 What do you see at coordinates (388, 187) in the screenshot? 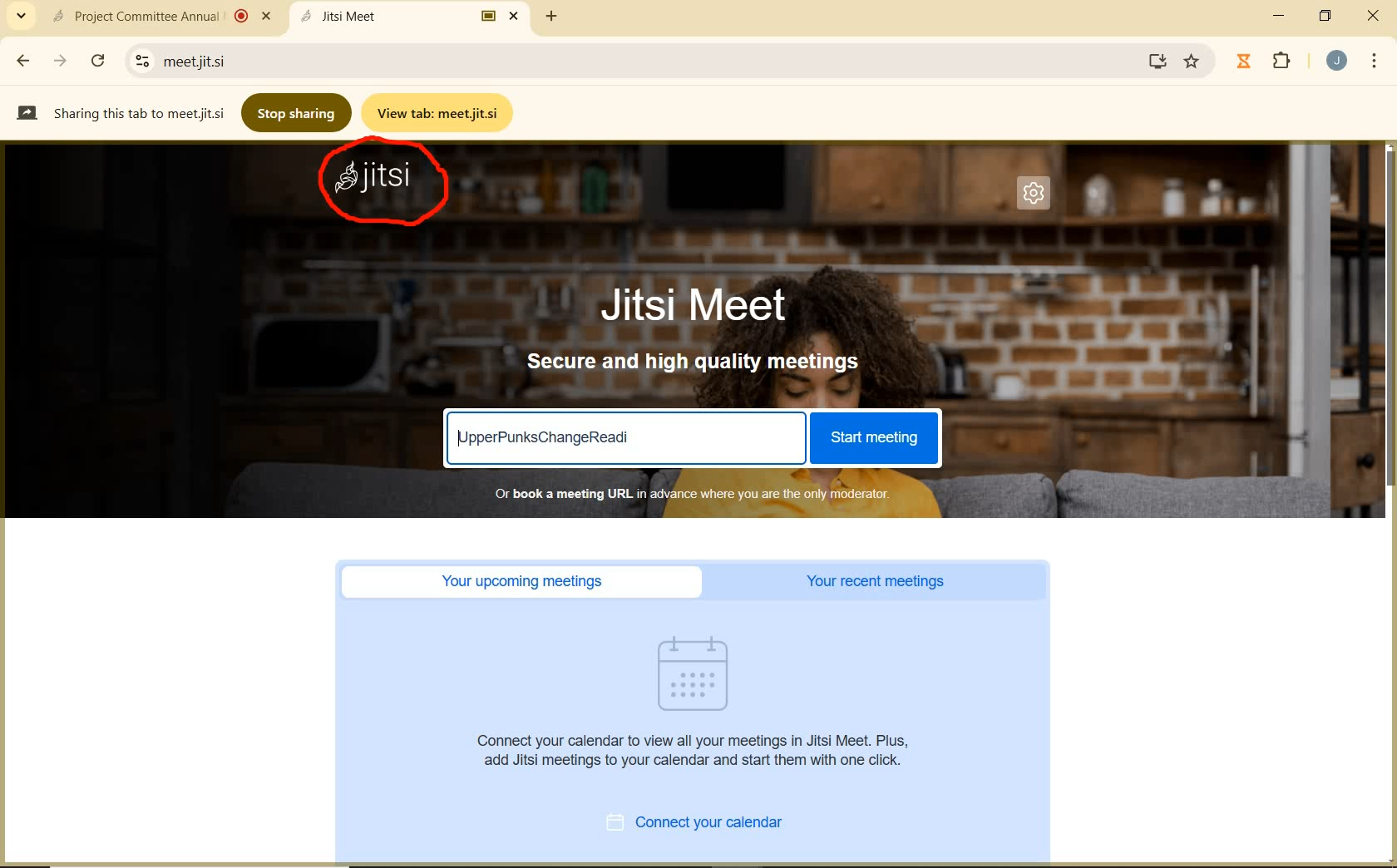
I see `jitsi annotated ` at bounding box center [388, 187].